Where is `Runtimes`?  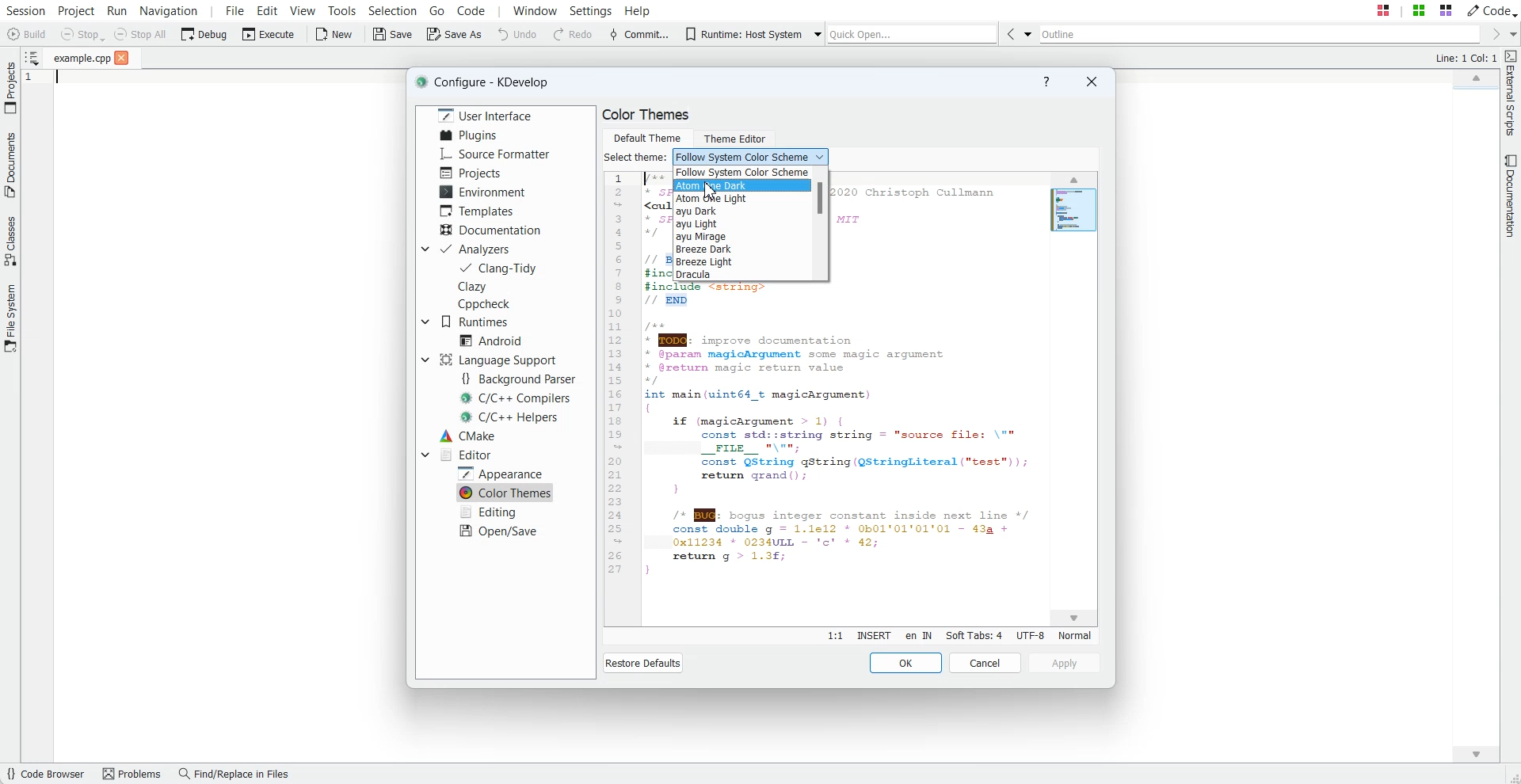
Runtimes is located at coordinates (480, 322).